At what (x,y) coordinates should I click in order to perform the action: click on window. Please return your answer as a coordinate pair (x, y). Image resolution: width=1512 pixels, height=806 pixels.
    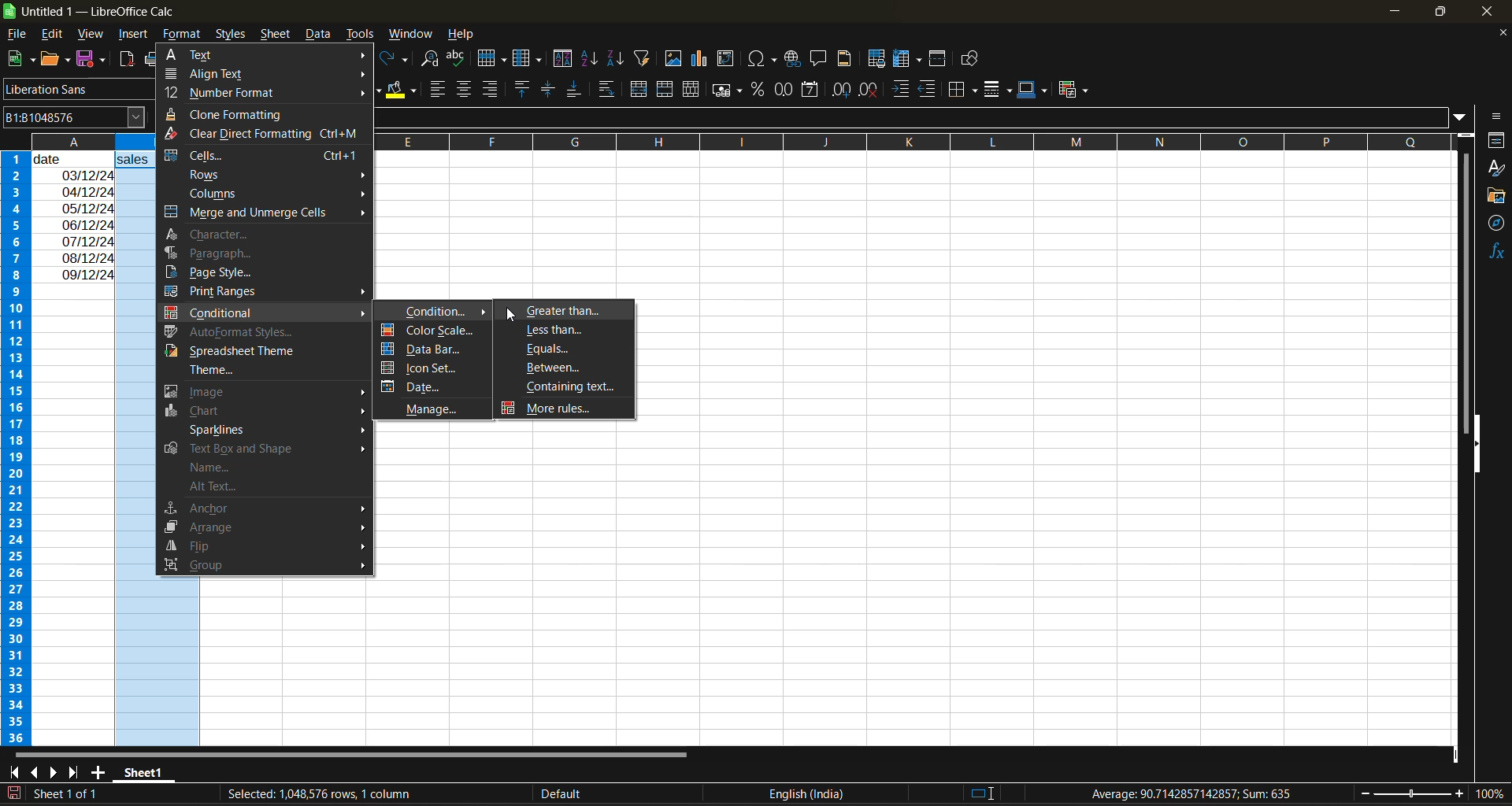
    Looking at the image, I should click on (409, 35).